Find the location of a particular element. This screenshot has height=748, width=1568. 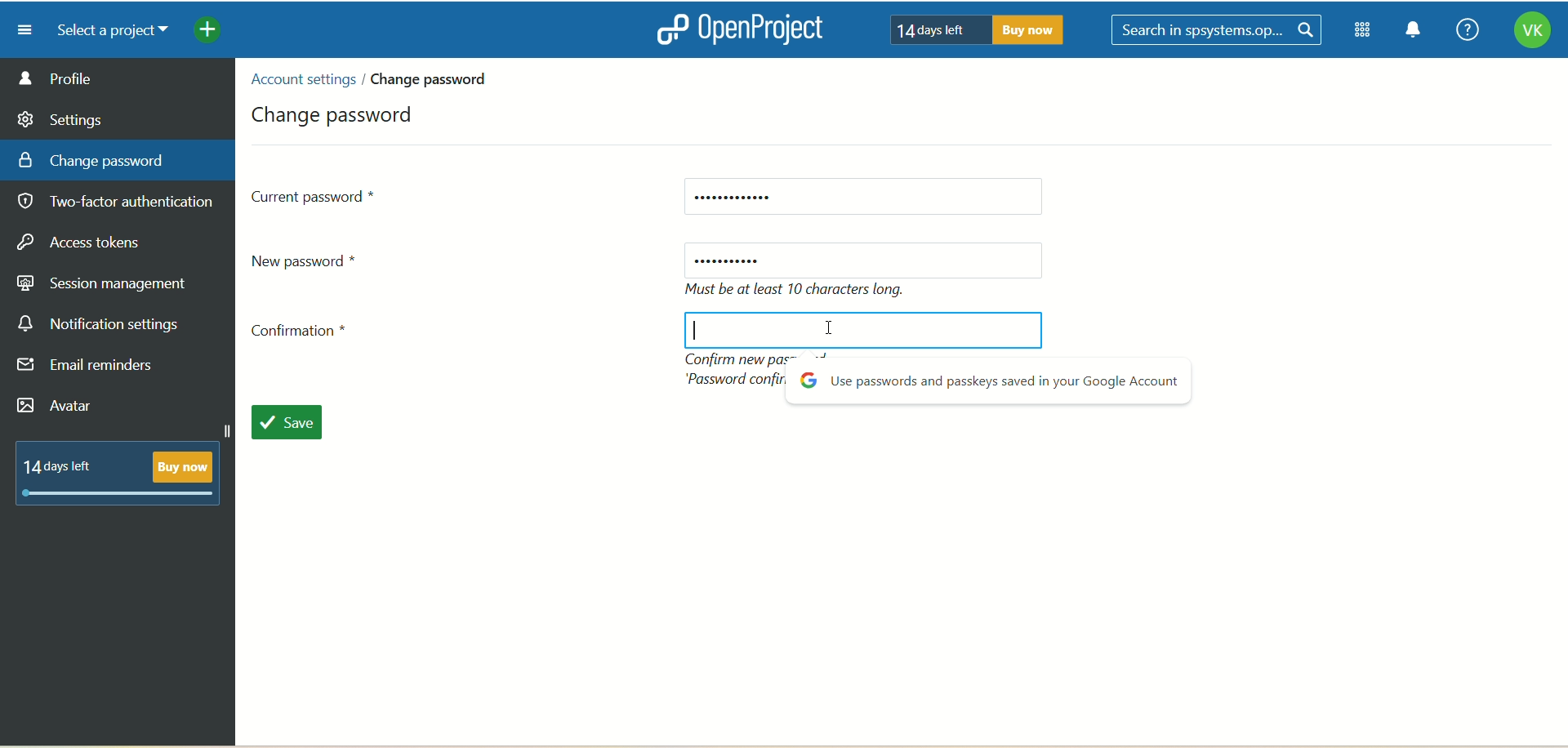

openproject is located at coordinates (736, 29).